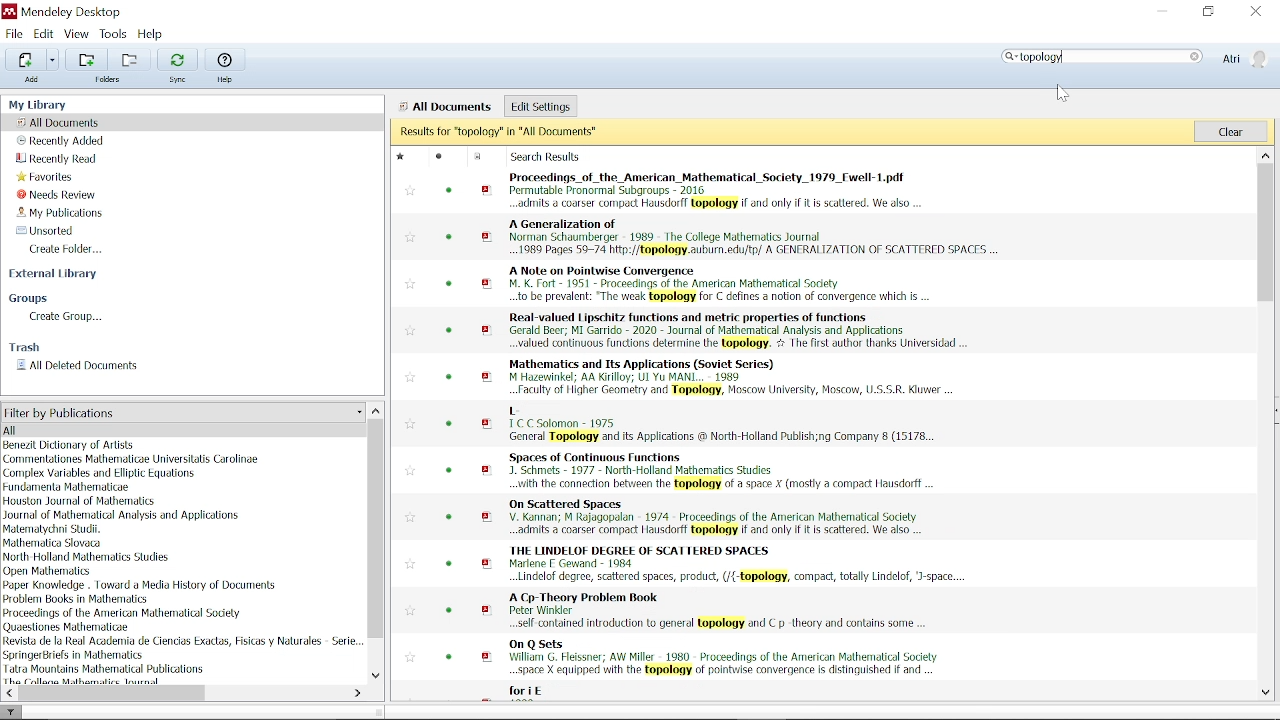 This screenshot has height=720, width=1280. Describe the element at coordinates (451, 330) in the screenshot. I see `read` at that location.